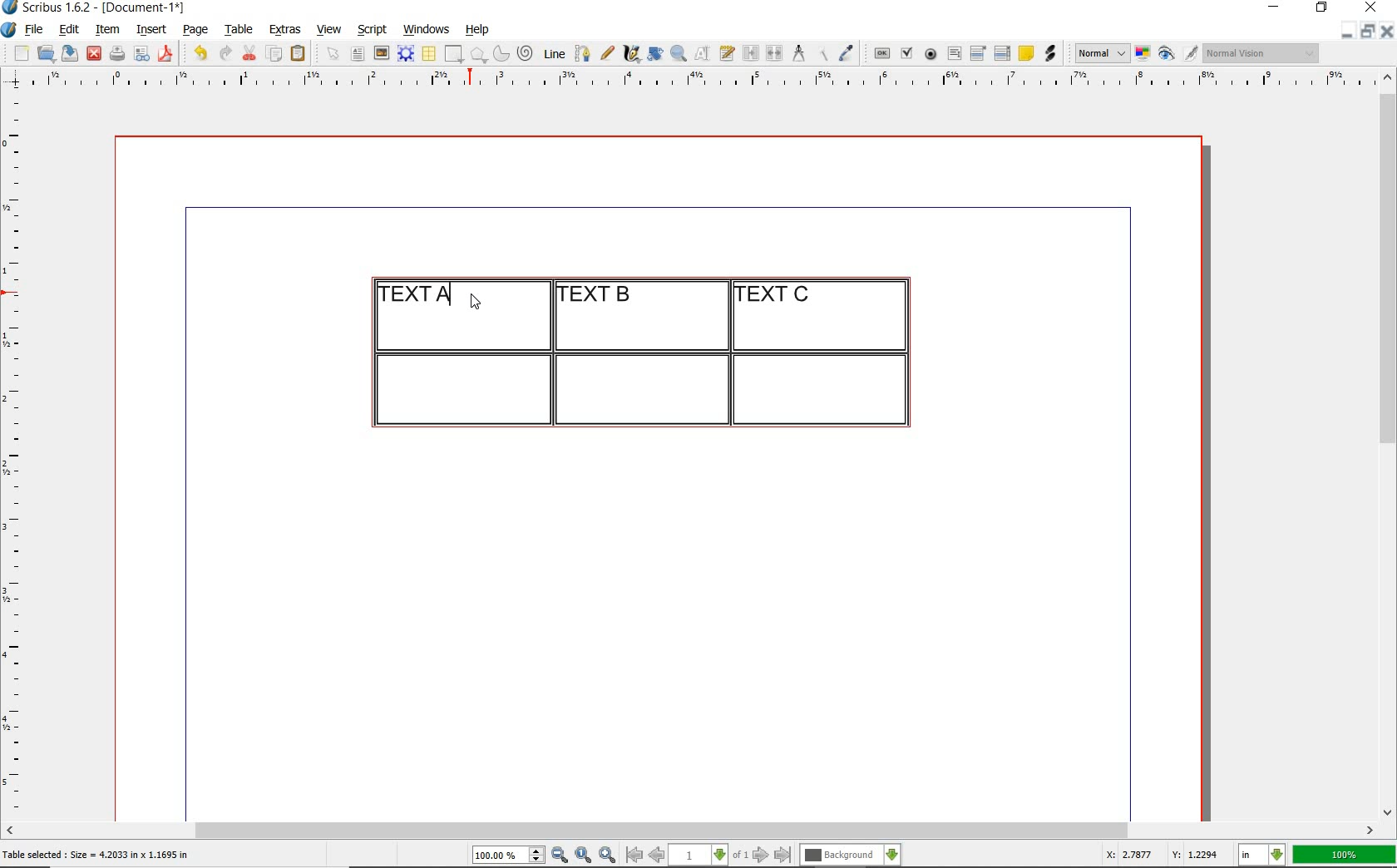 This screenshot has width=1397, height=868. Describe the element at coordinates (406, 54) in the screenshot. I see `render frame` at that location.